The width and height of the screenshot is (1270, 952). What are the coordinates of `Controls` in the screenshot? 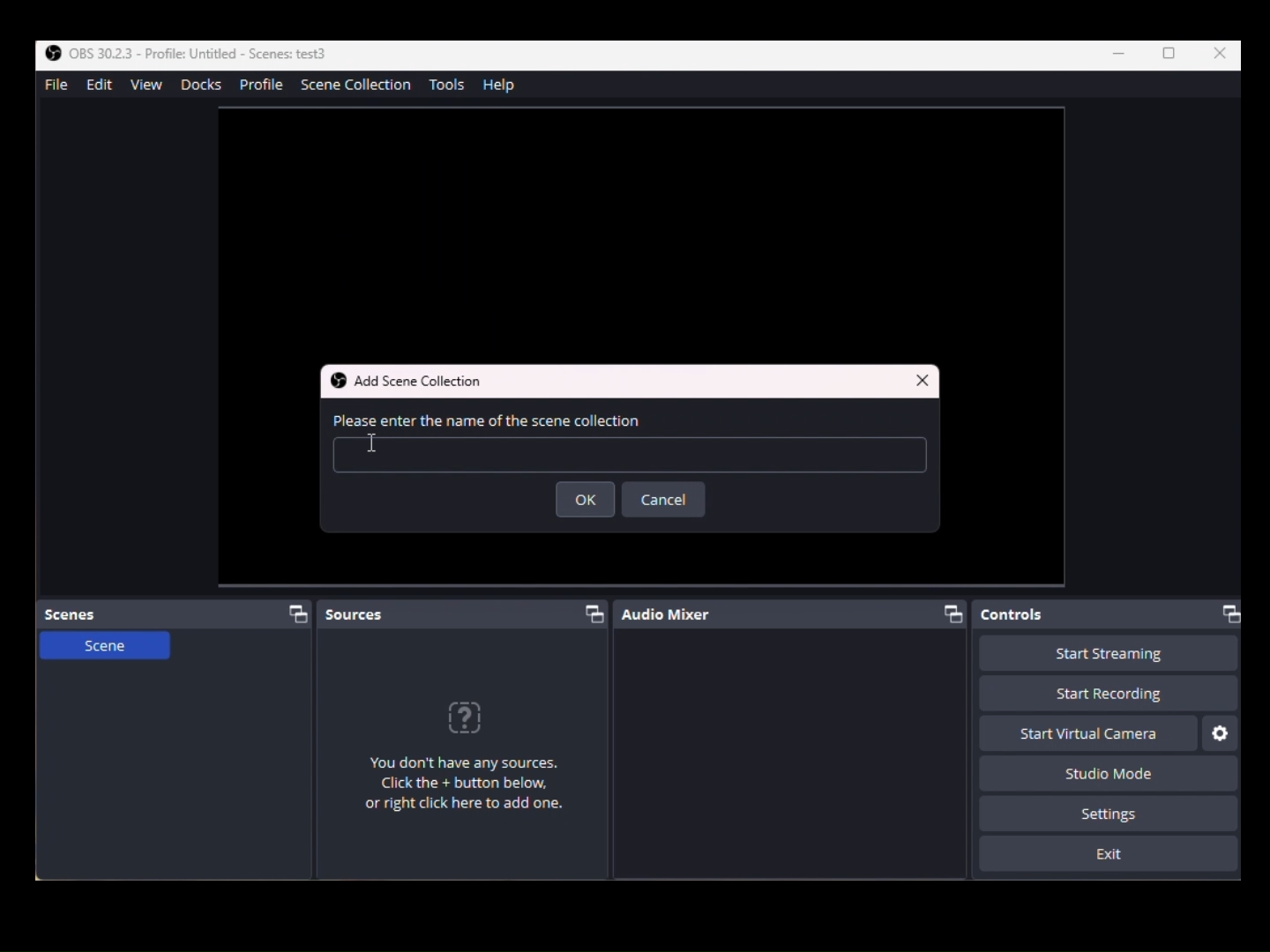 It's located at (1112, 614).